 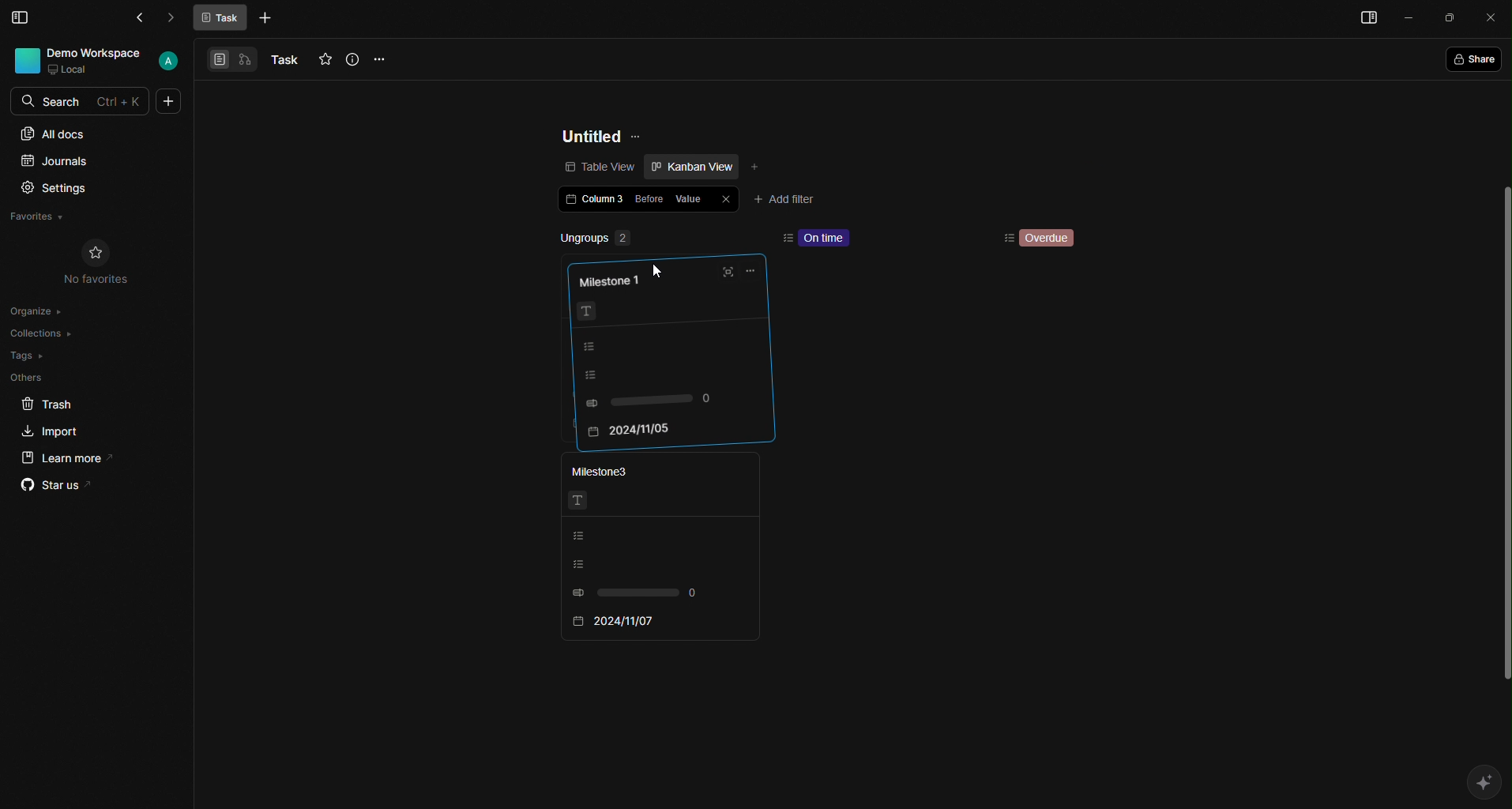 What do you see at coordinates (145, 17) in the screenshot?
I see `Back` at bounding box center [145, 17].